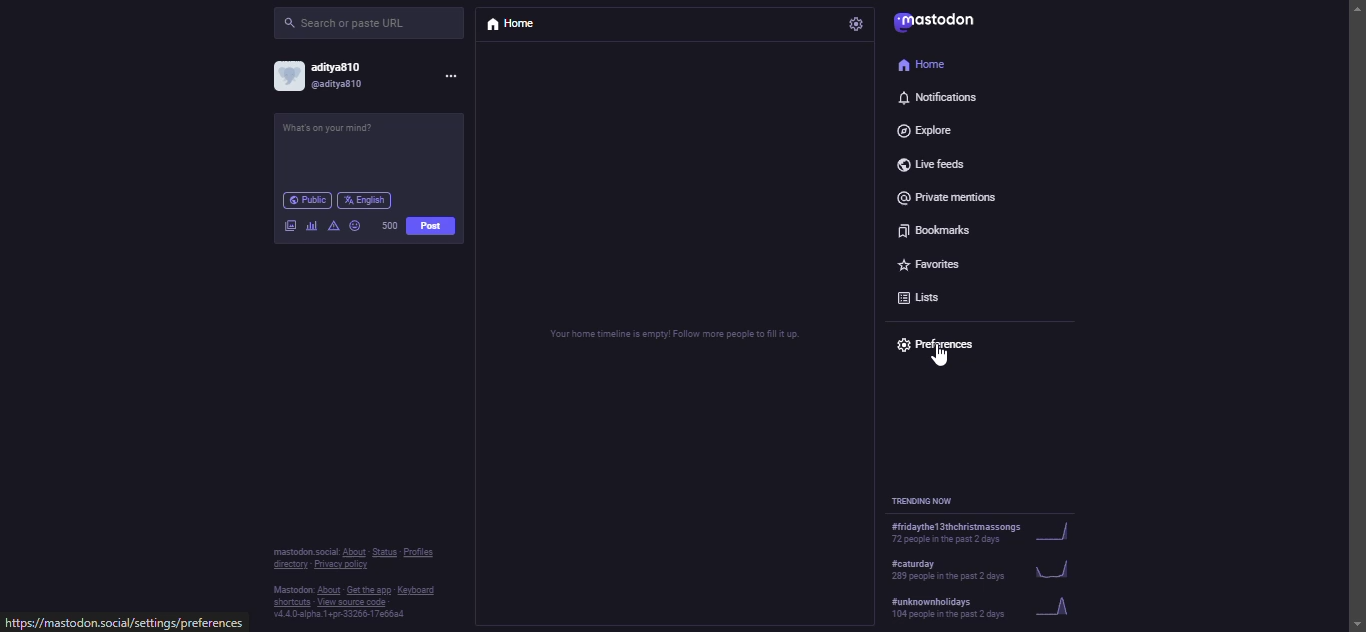  Describe the element at coordinates (332, 223) in the screenshot. I see `advanced` at that location.